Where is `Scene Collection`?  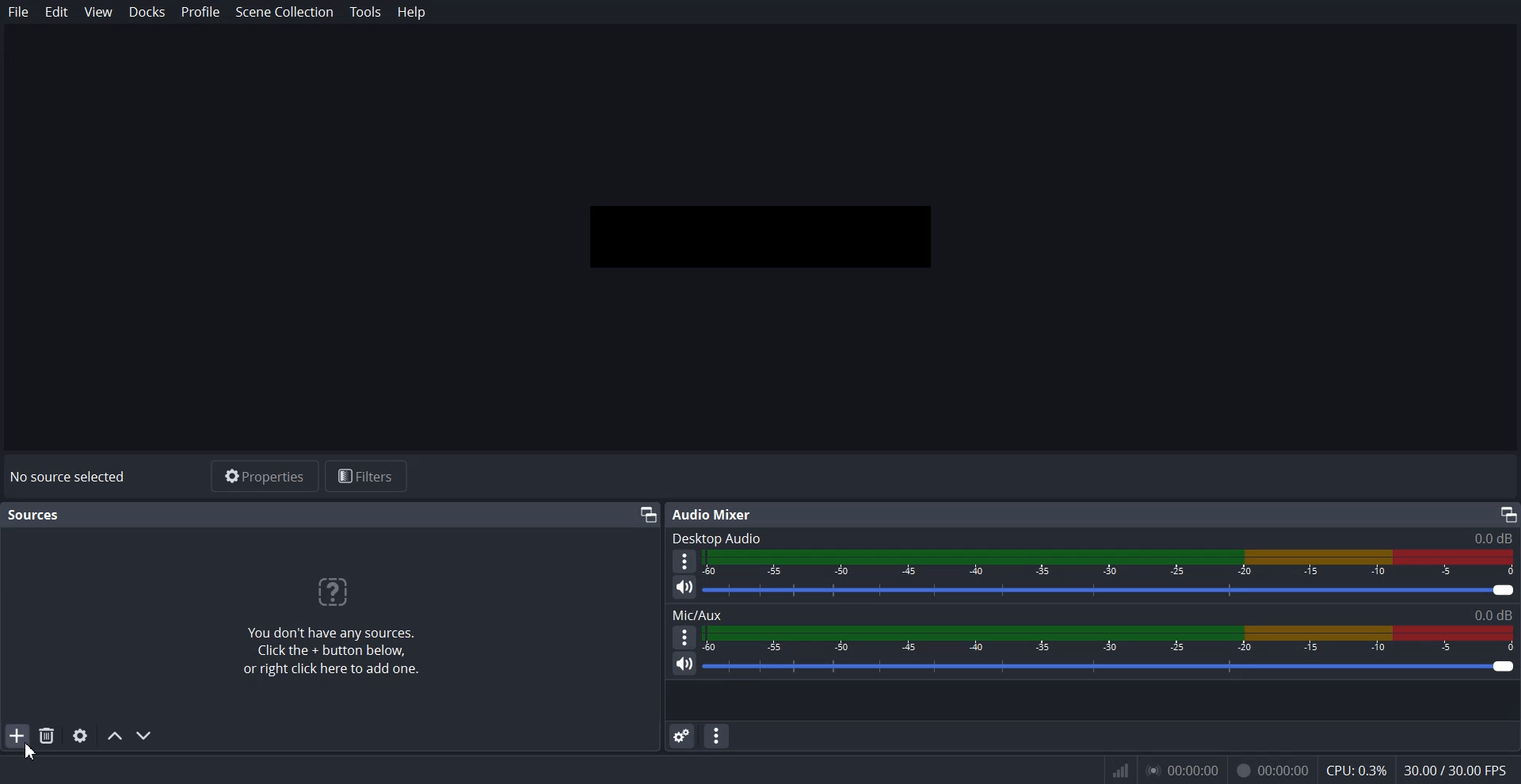 Scene Collection is located at coordinates (285, 13).